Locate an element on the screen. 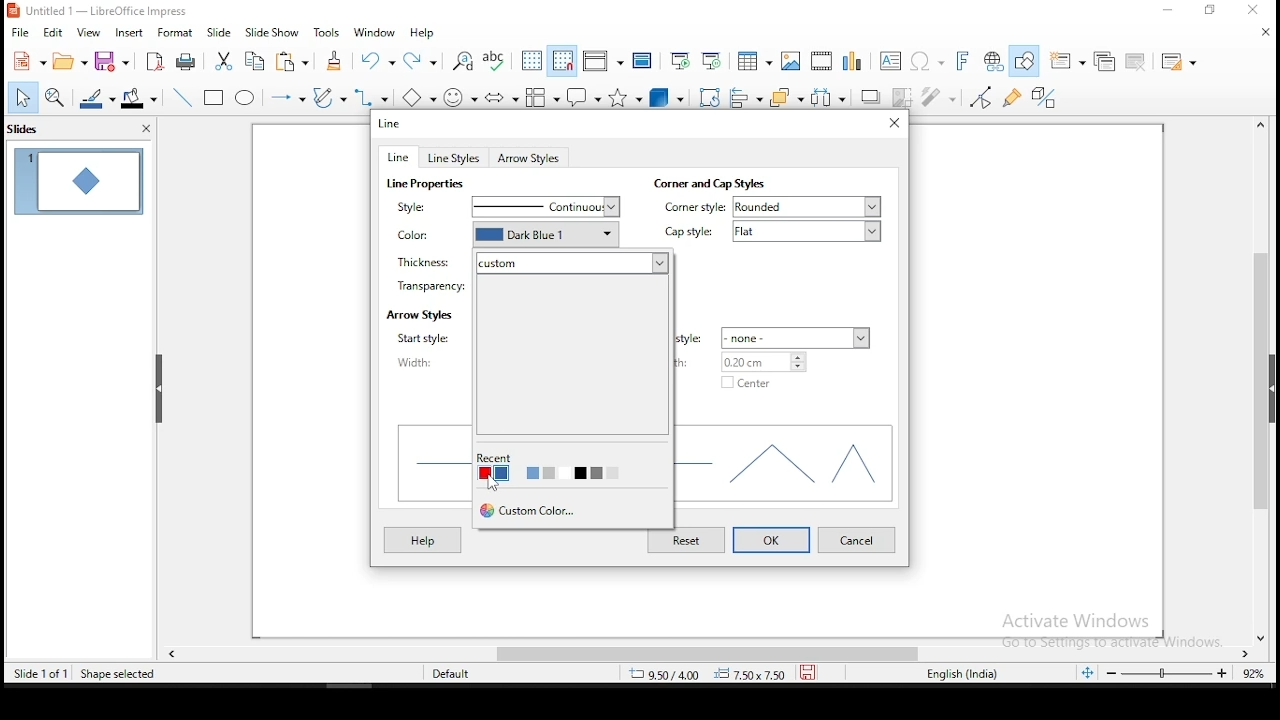 This screenshot has width=1280, height=720. spell check is located at coordinates (497, 59).